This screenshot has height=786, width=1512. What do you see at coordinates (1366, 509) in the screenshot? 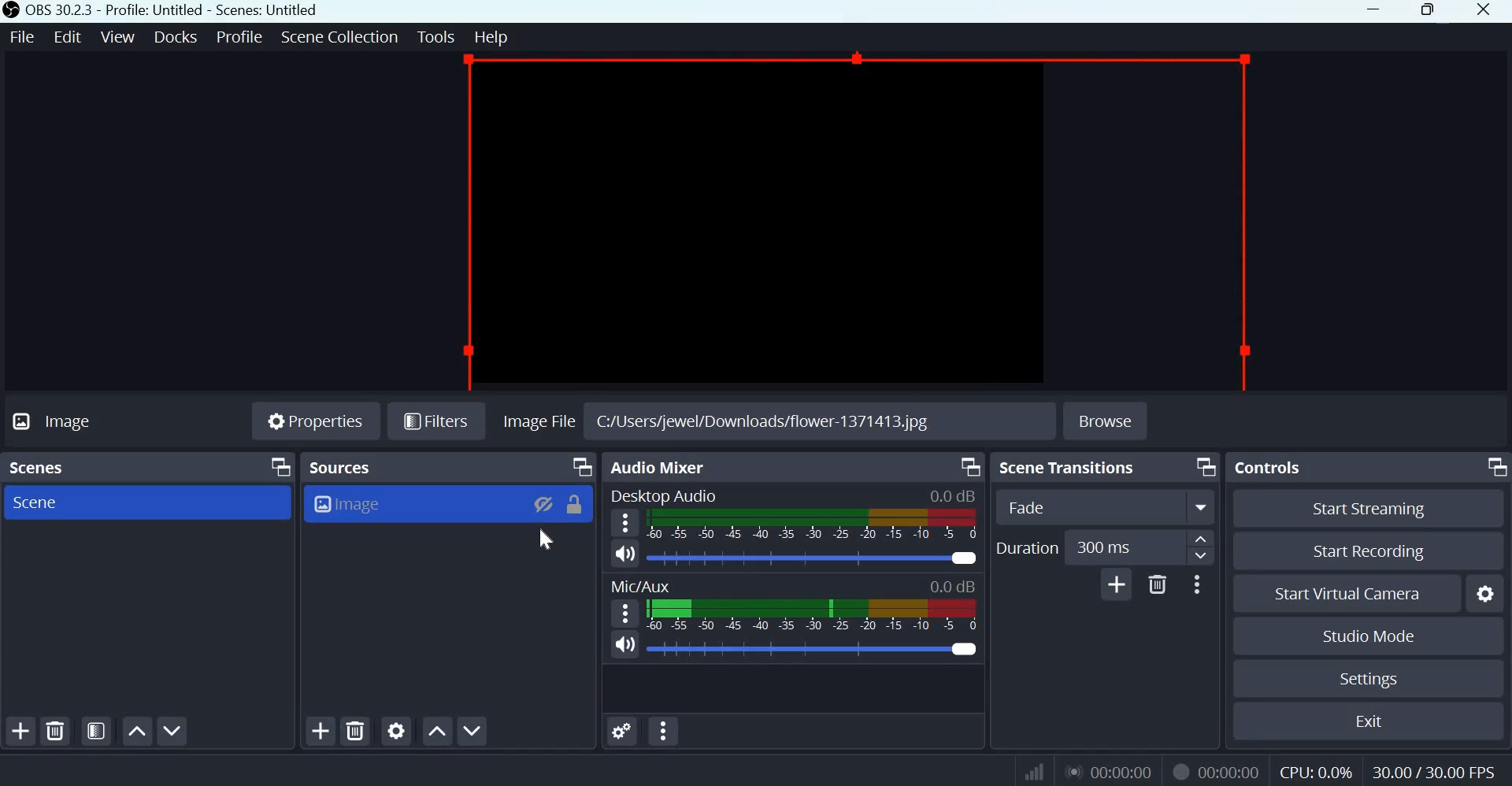
I see `Start streaming` at bounding box center [1366, 509].